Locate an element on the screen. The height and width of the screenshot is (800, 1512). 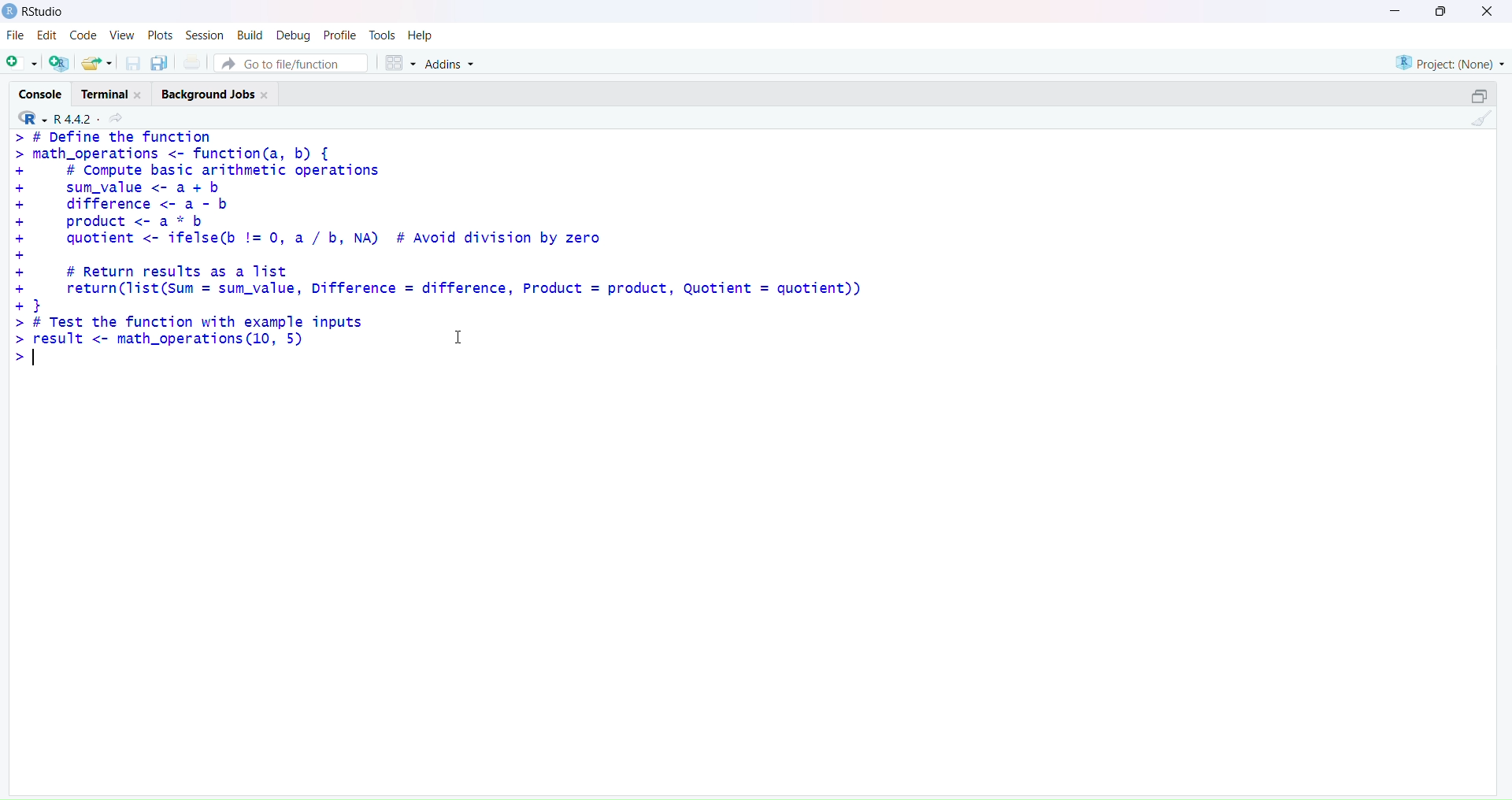
Project (Note) is located at coordinates (1449, 61).